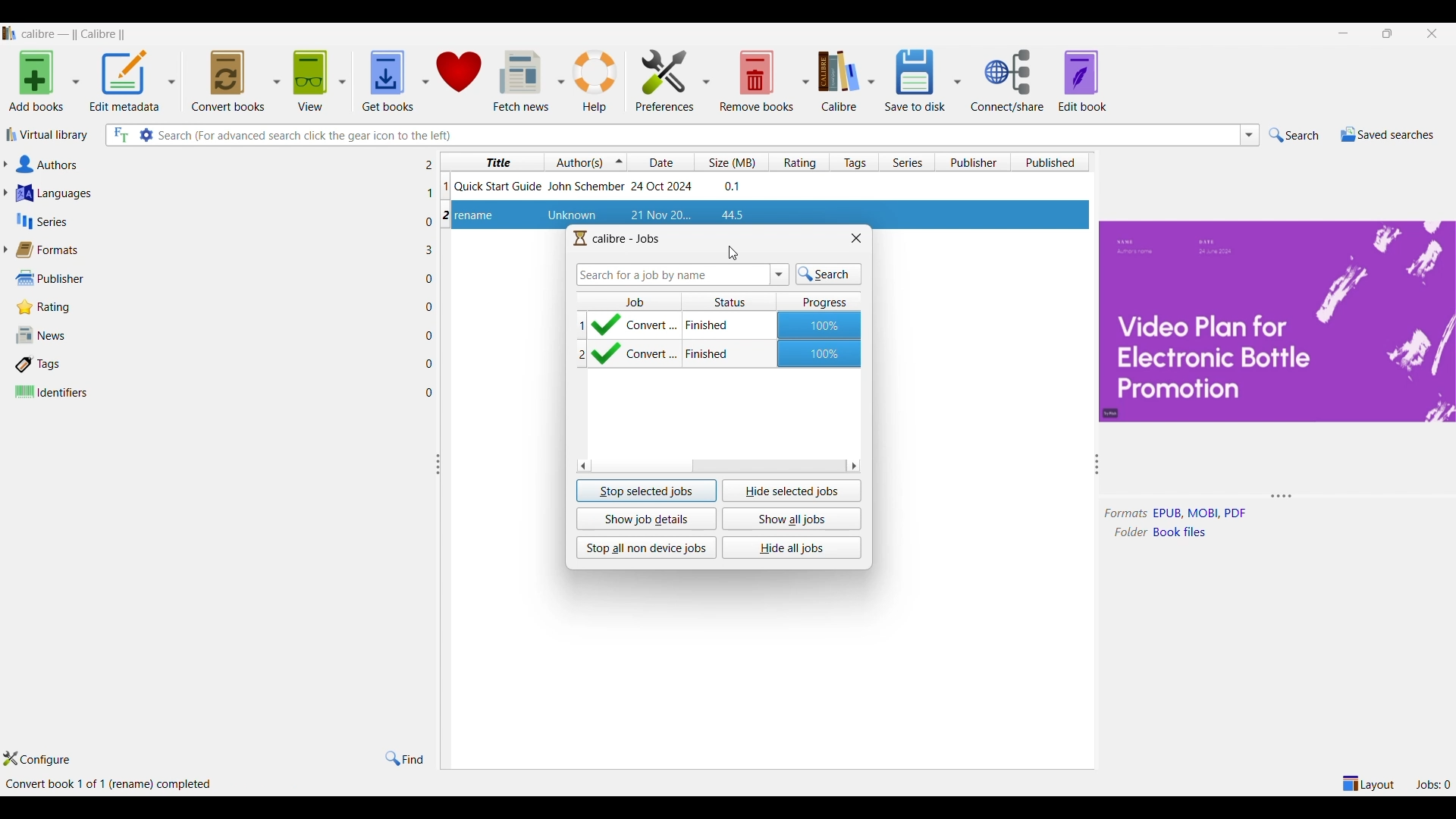 Image resolution: width=1456 pixels, height=819 pixels. I want to click on Add book options, so click(77, 82).